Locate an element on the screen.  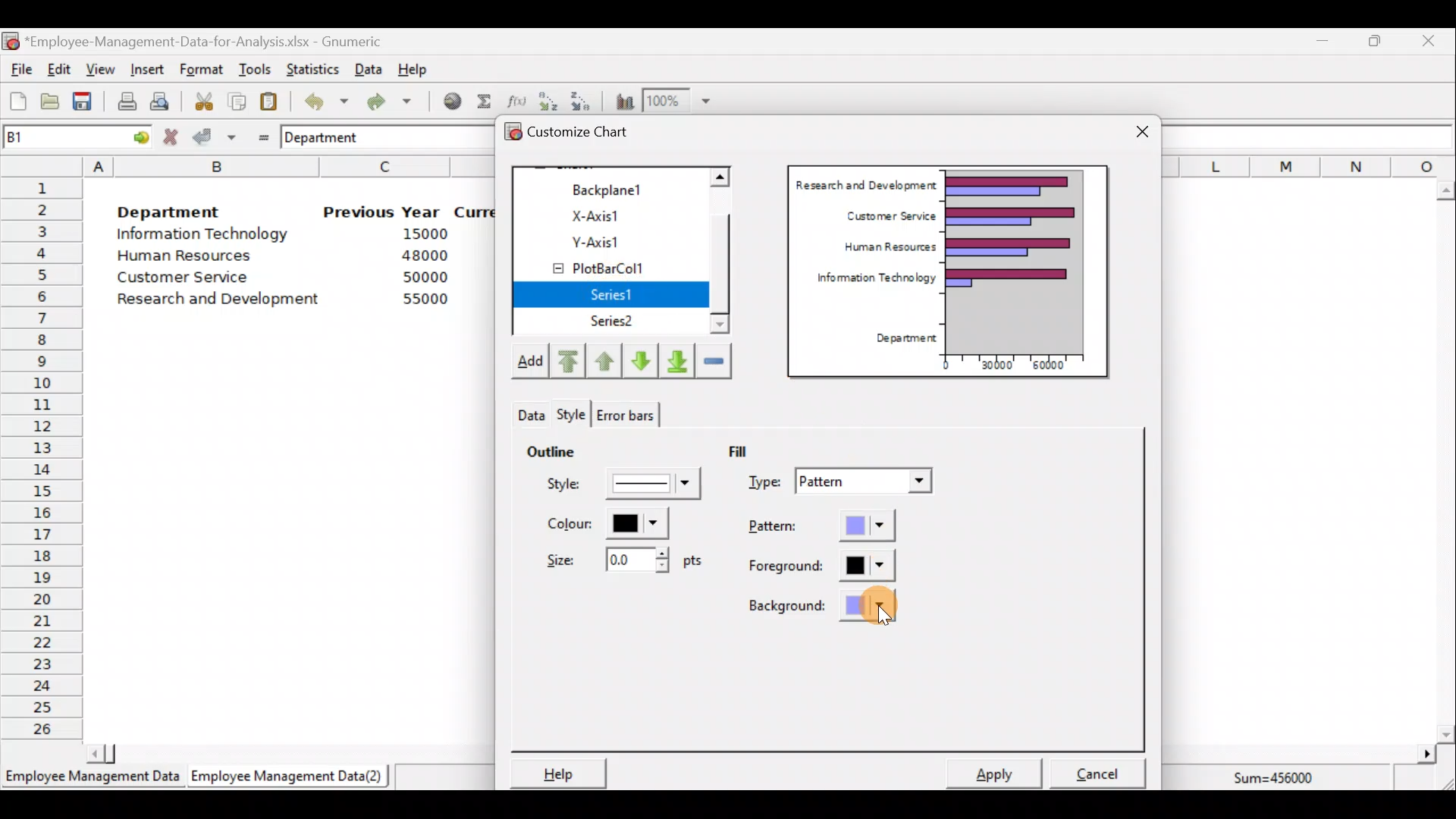
Human Resources is located at coordinates (883, 248).